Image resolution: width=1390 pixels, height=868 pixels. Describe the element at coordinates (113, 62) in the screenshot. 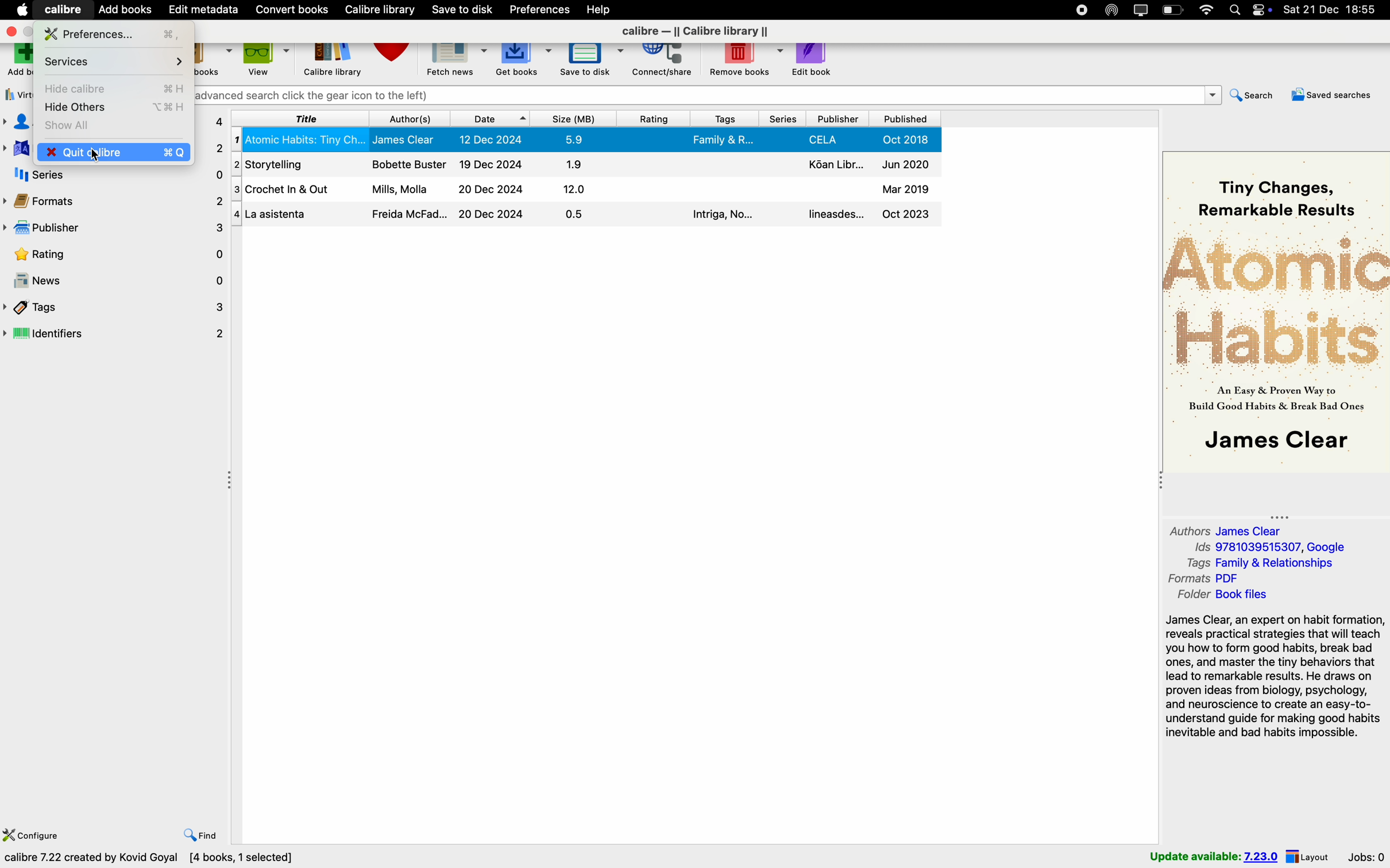

I see `services` at that location.